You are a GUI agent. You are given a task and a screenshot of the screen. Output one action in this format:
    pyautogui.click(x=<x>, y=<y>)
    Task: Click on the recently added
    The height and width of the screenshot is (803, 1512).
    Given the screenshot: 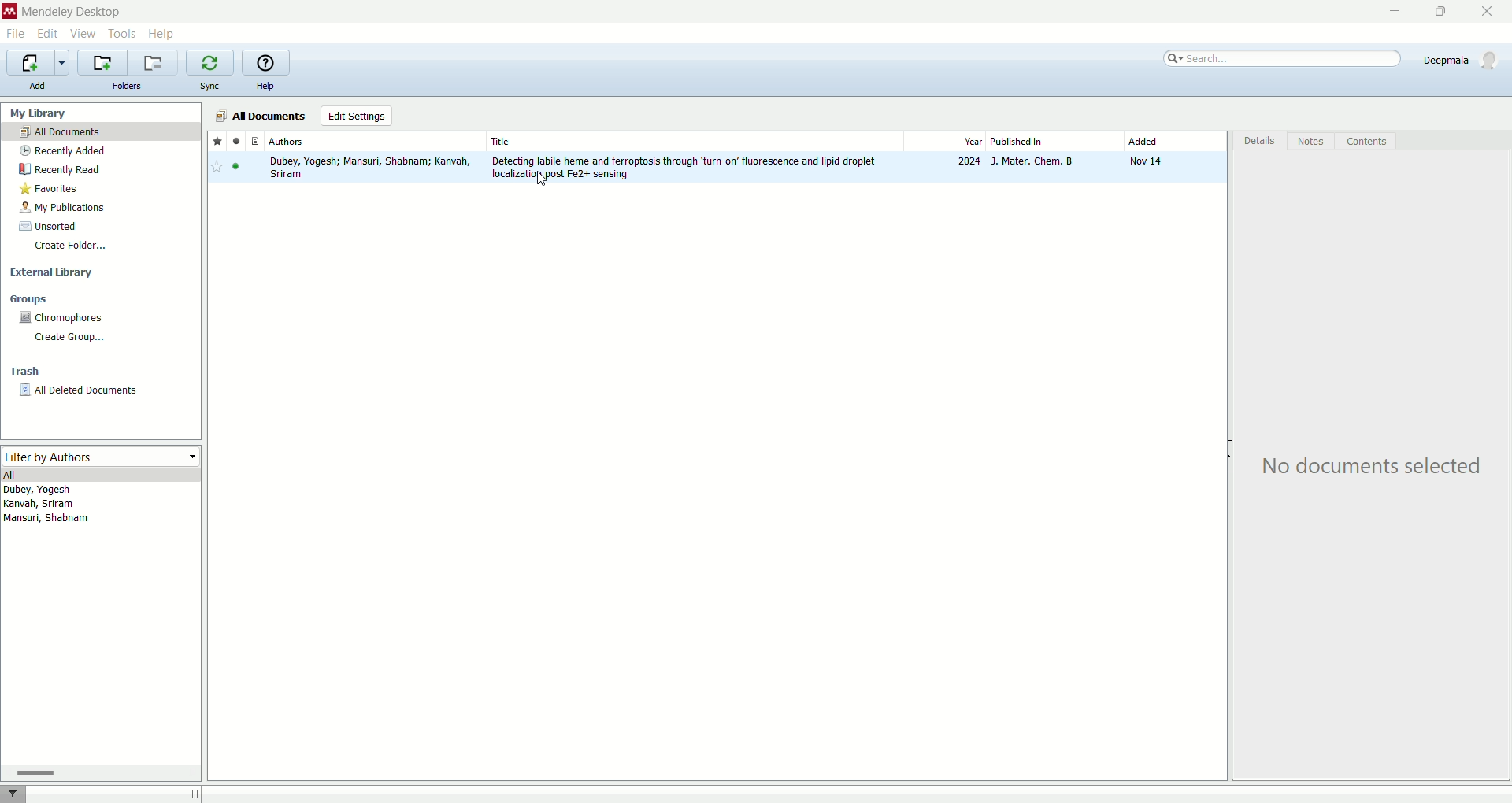 What is the action you would take?
    pyautogui.click(x=64, y=150)
    